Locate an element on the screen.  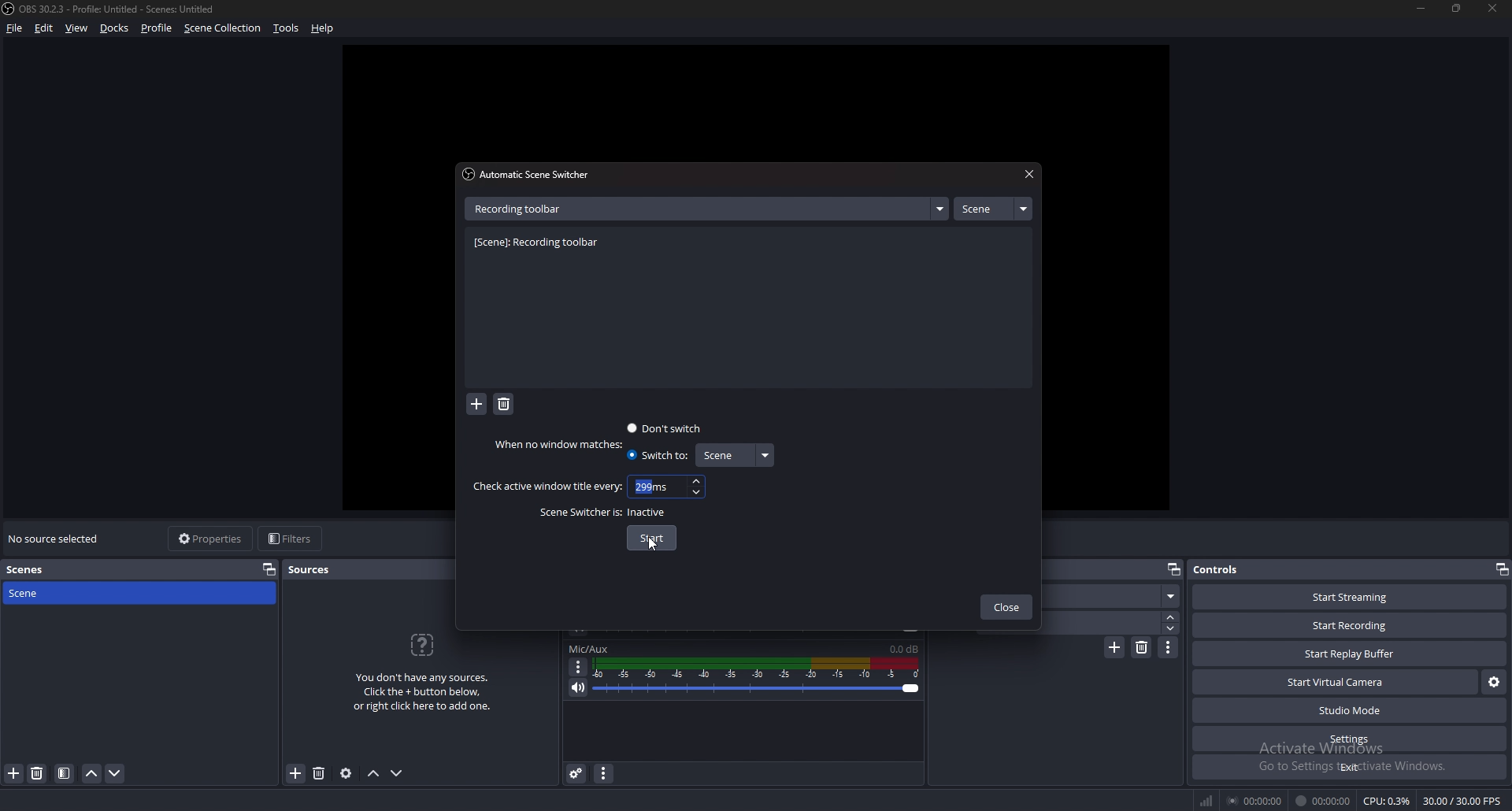
swipe is located at coordinates (1115, 596).